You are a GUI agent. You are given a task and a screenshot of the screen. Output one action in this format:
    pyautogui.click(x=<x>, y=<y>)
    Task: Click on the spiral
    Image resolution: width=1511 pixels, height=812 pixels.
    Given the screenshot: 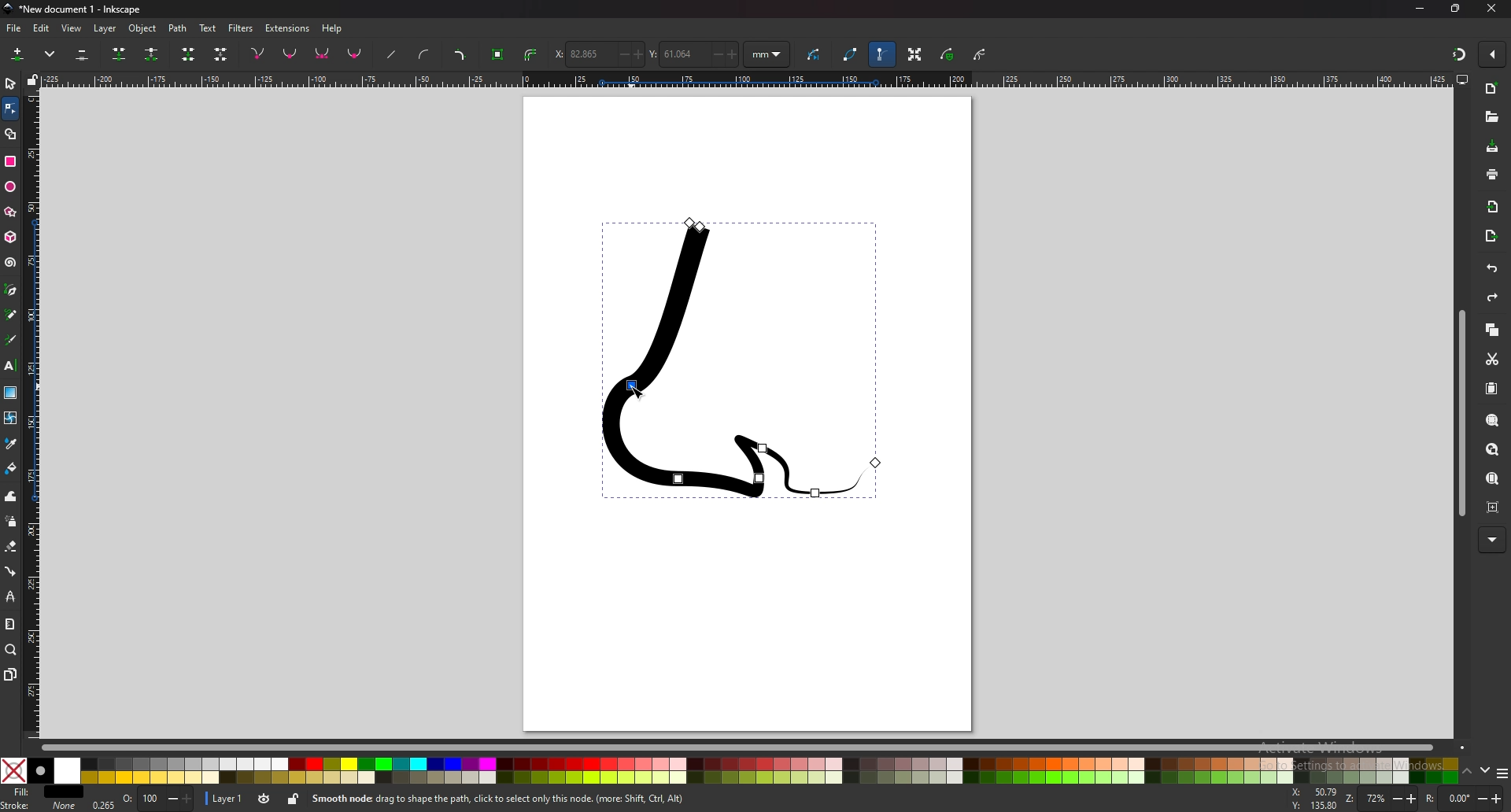 What is the action you would take?
    pyautogui.click(x=9, y=263)
    